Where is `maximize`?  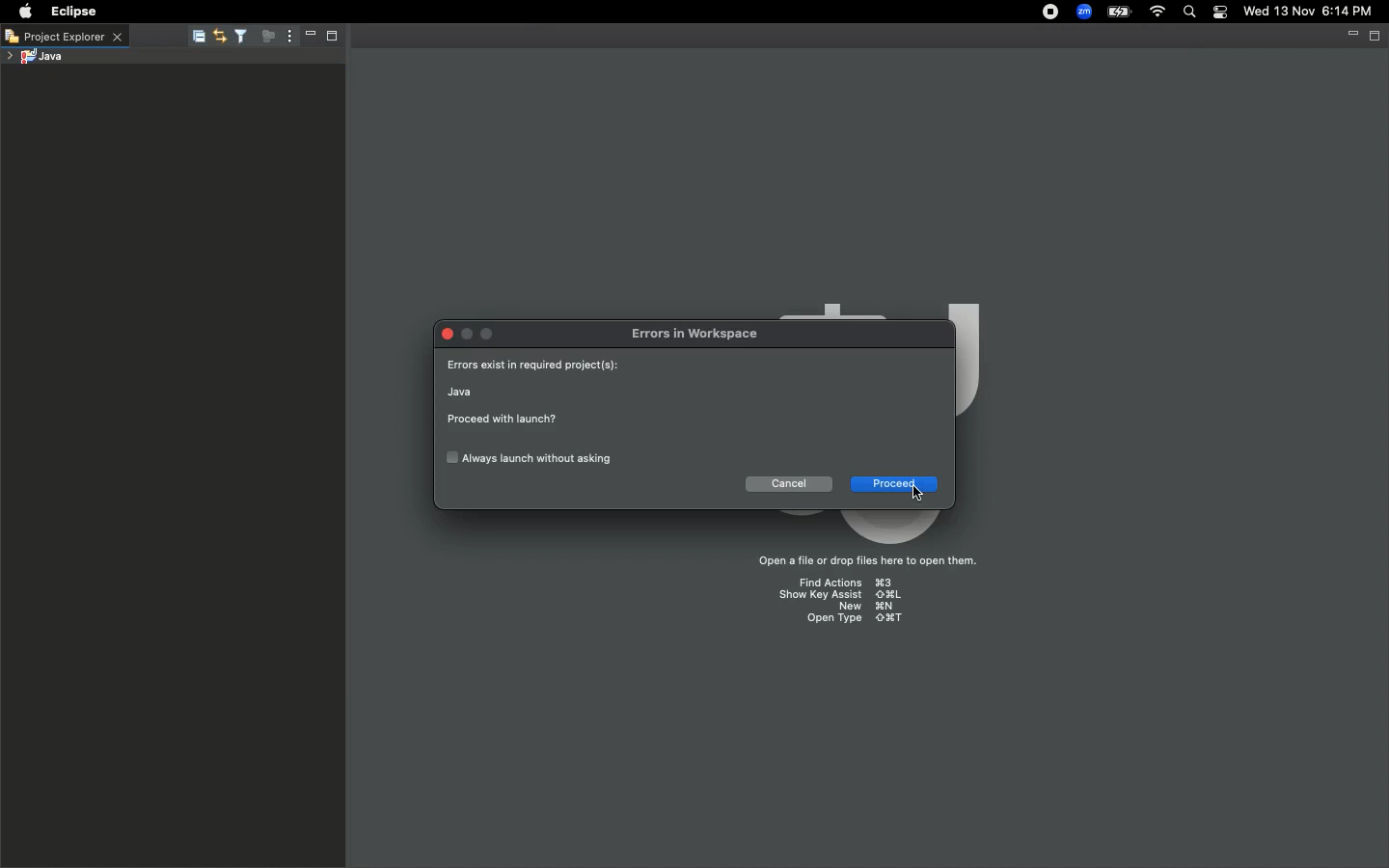
maximize is located at coordinates (489, 336).